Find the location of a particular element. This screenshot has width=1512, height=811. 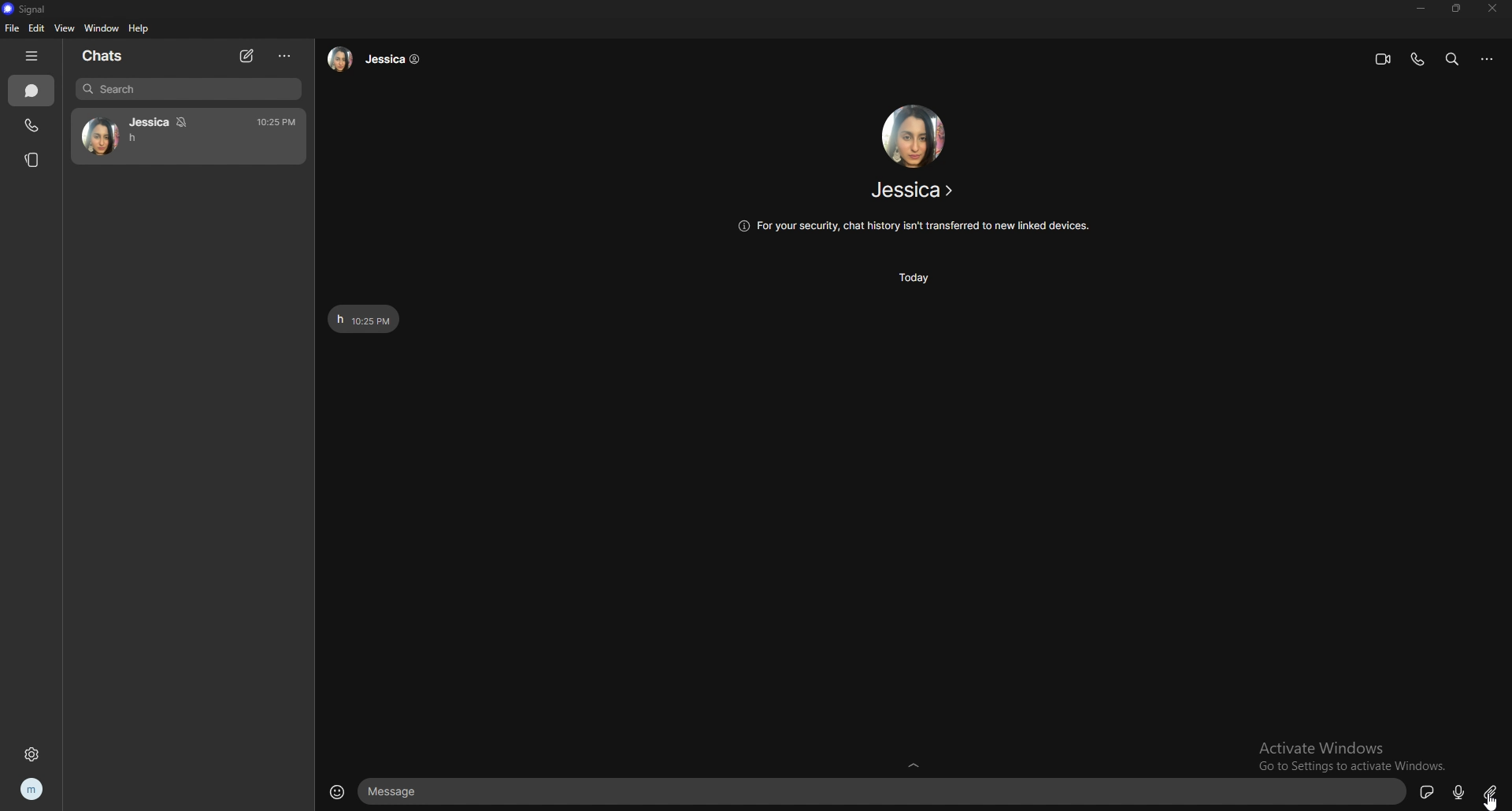

contact is located at coordinates (379, 58).